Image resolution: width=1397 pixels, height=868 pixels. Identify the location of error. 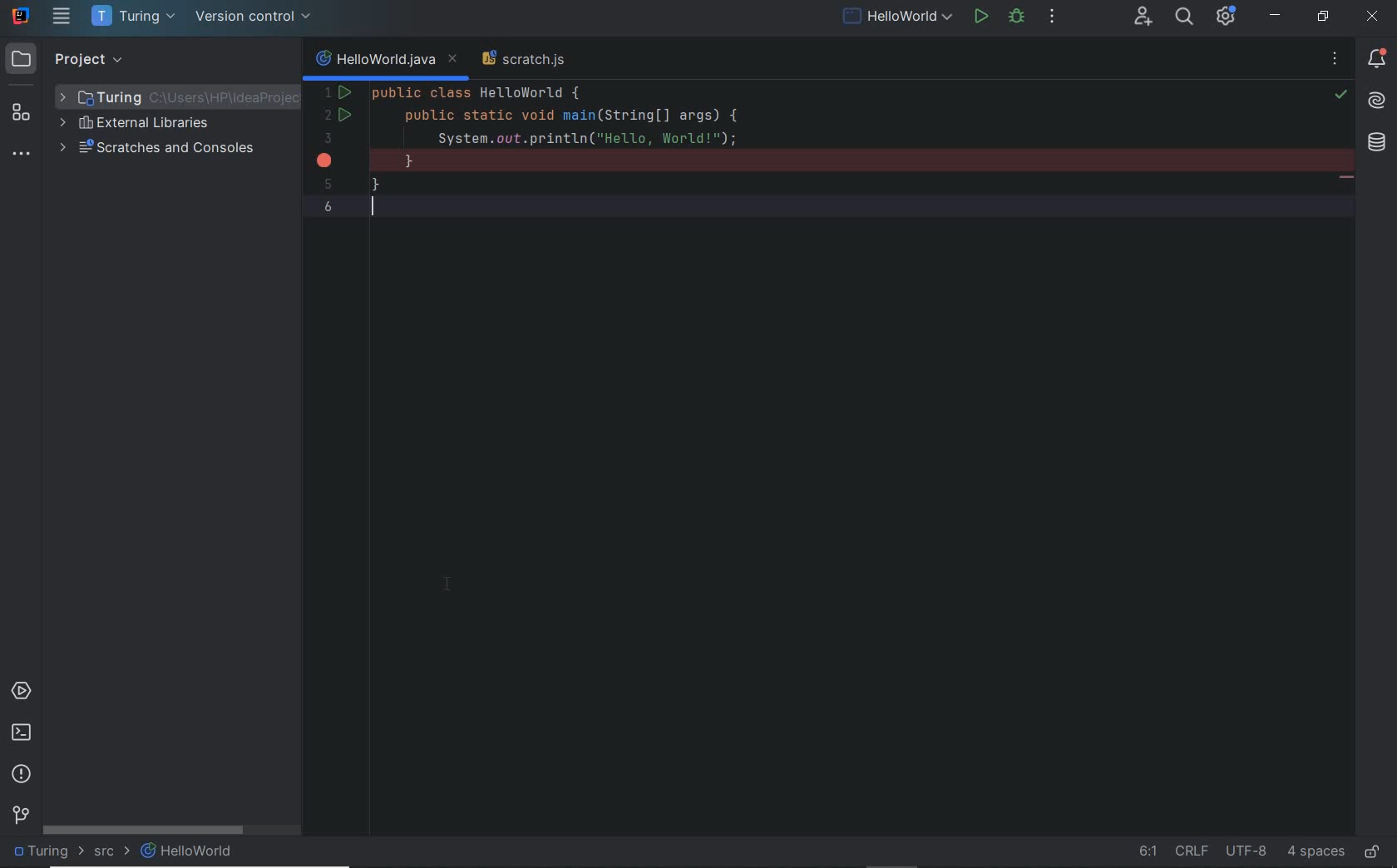
(324, 161).